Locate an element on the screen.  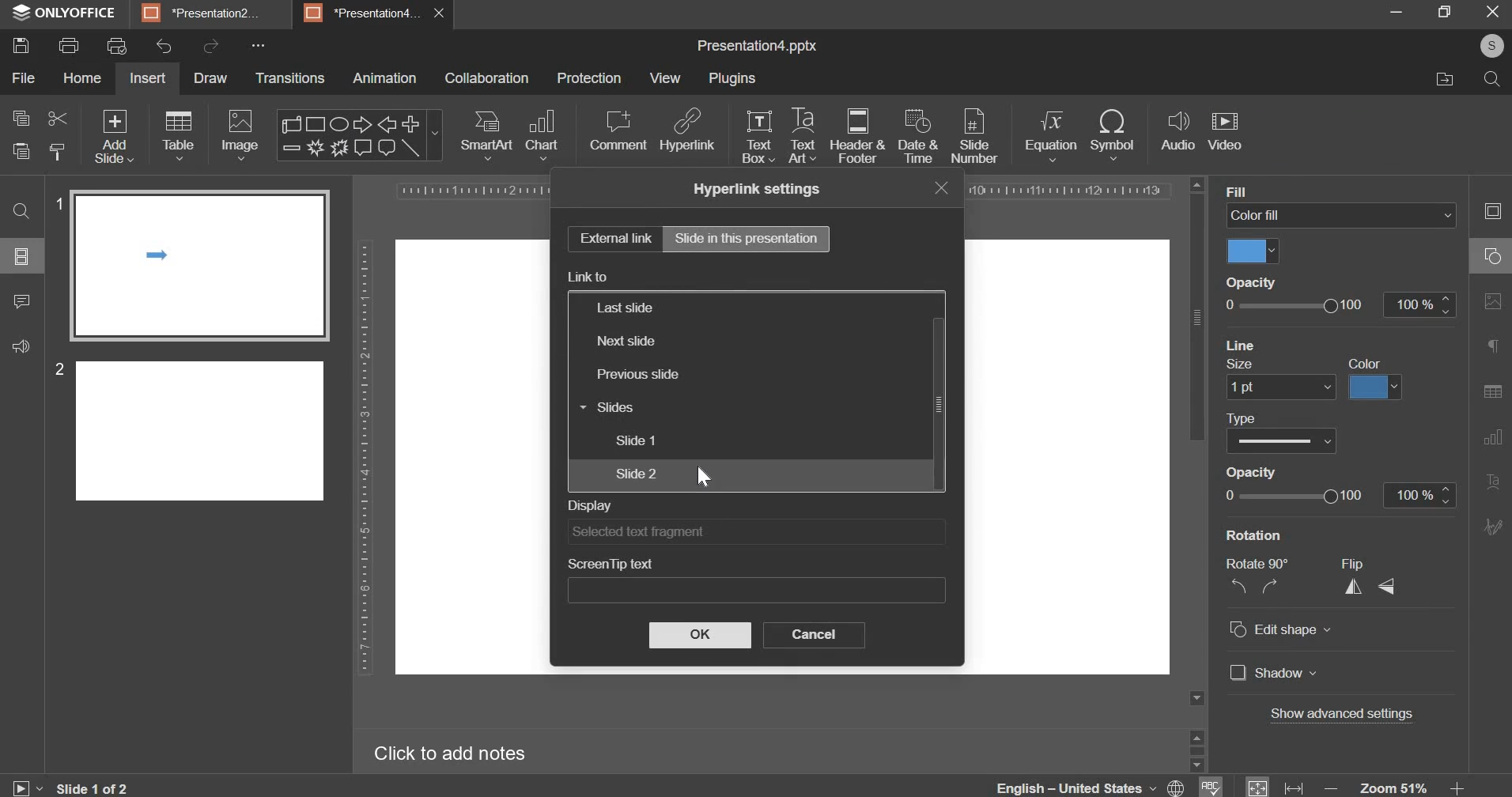
 is located at coordinates (761, 590).